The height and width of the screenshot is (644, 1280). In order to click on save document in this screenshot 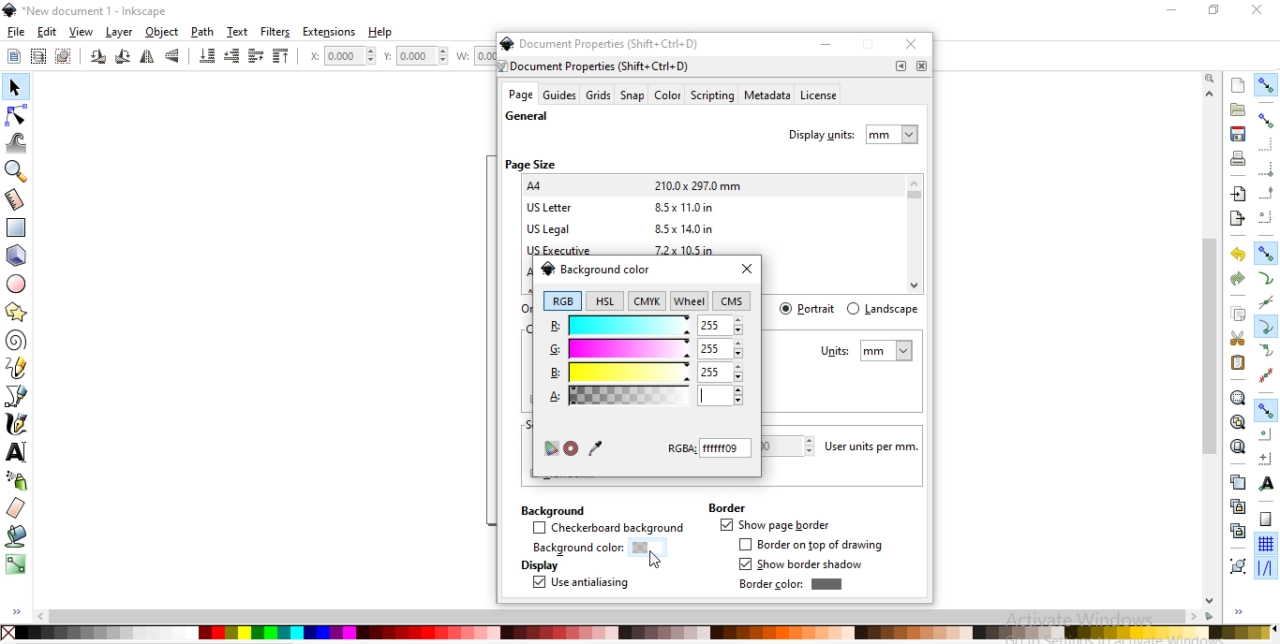, I will do `click(1238, 134)`.